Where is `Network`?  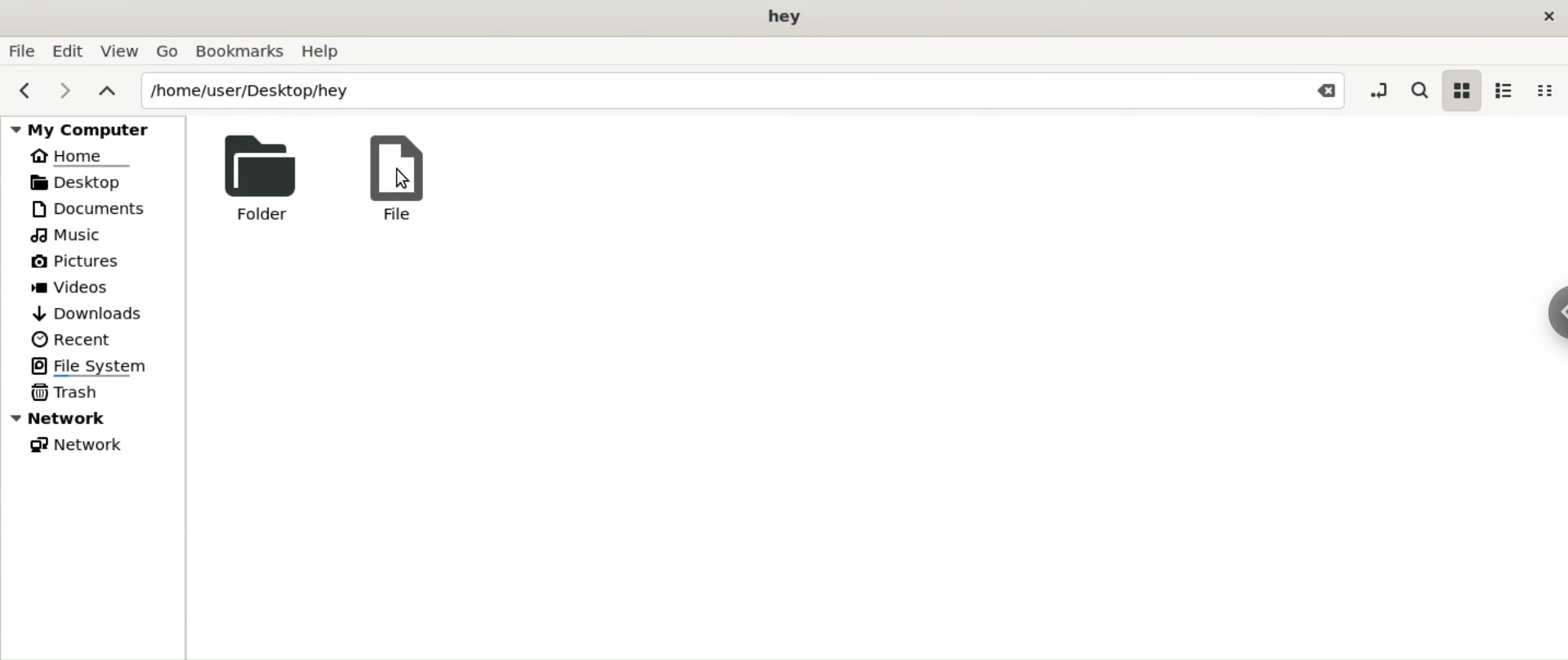 Network is located at coordinates (82, 446).